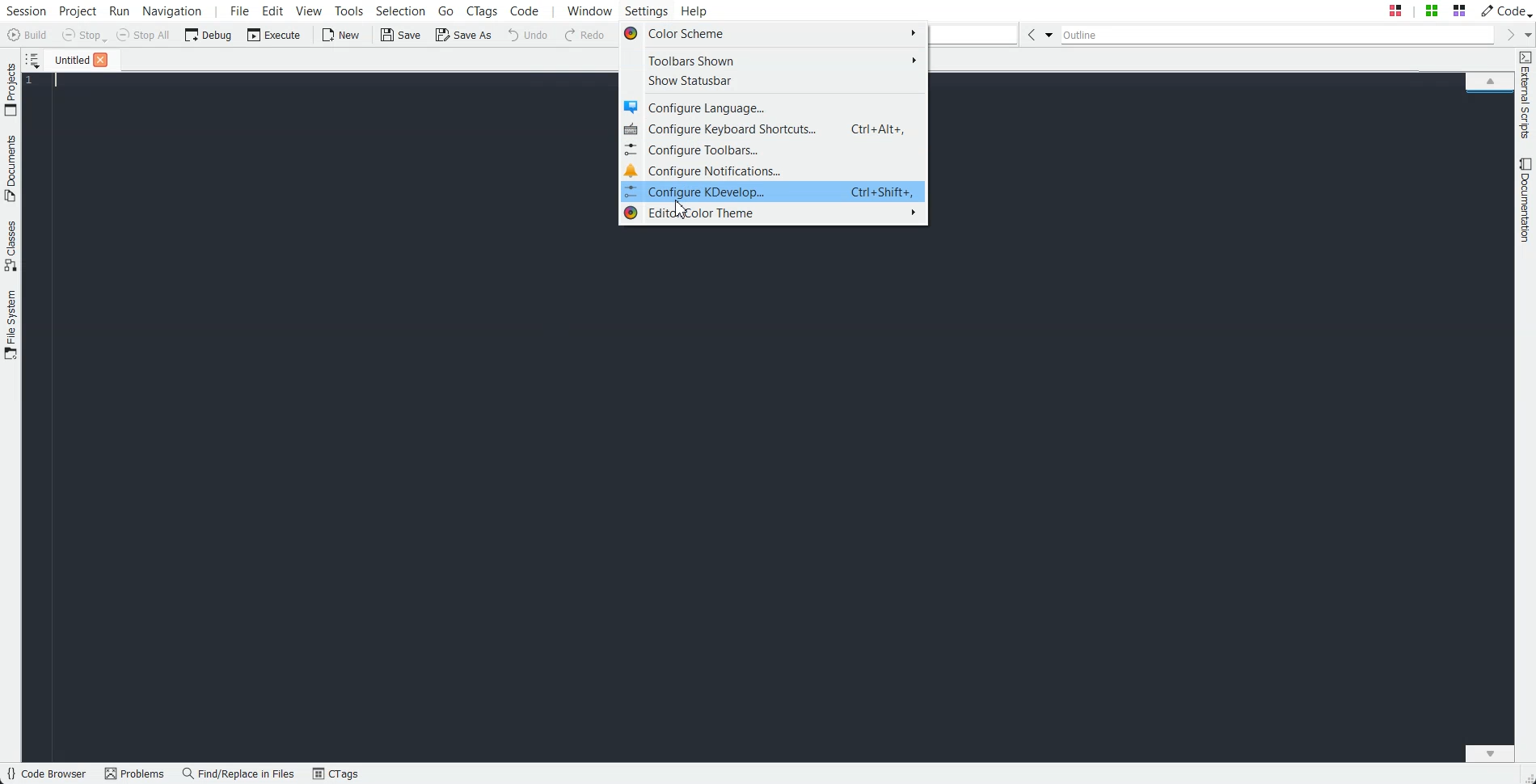 The image size is (1536, 784). Describe the element at coordinates (650, 11) in the screenshot. I see `Settings` at that location.